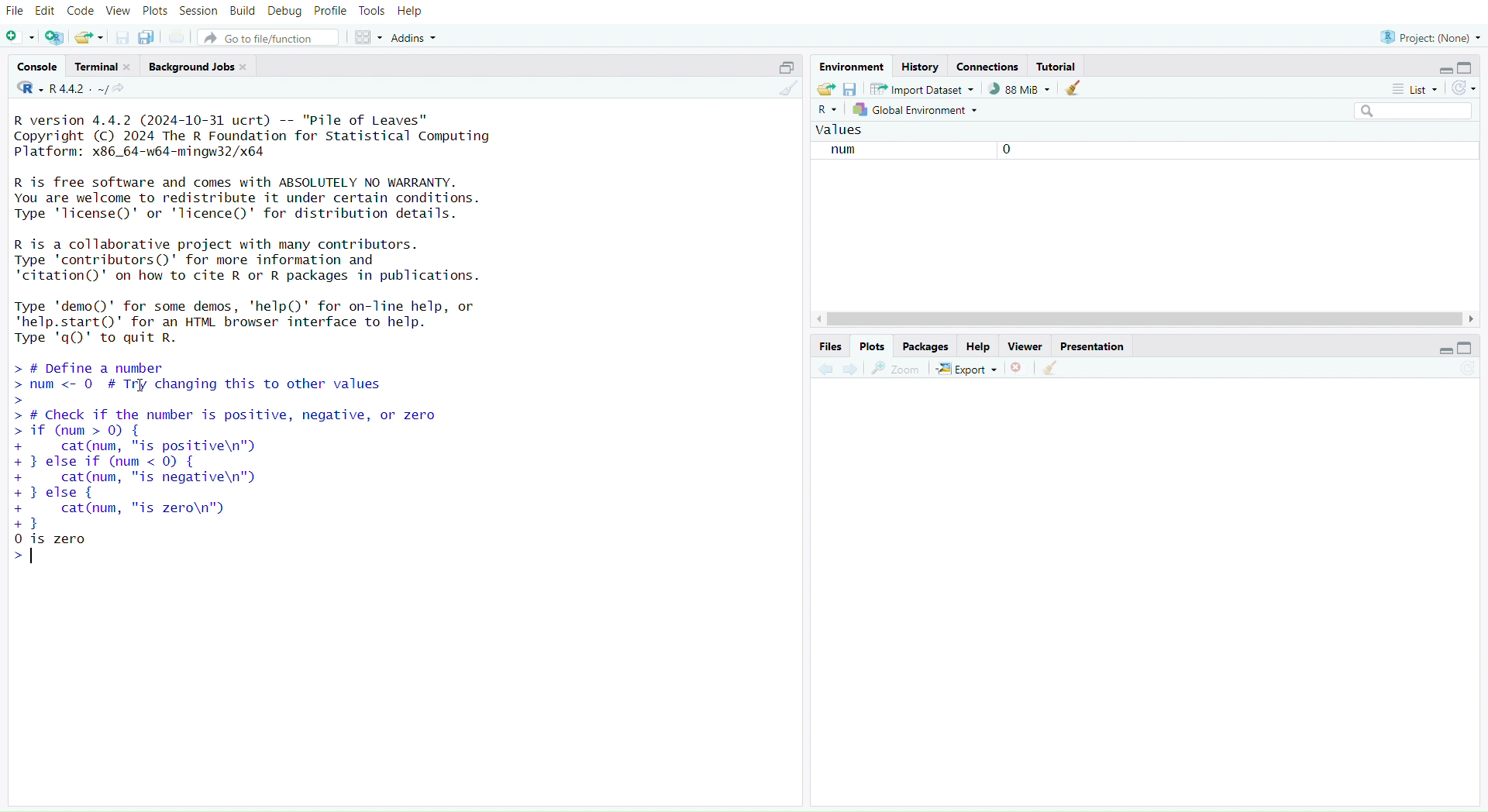 This screenshot has height=812, width=1488. I want to click on packages, so click(926, 347).